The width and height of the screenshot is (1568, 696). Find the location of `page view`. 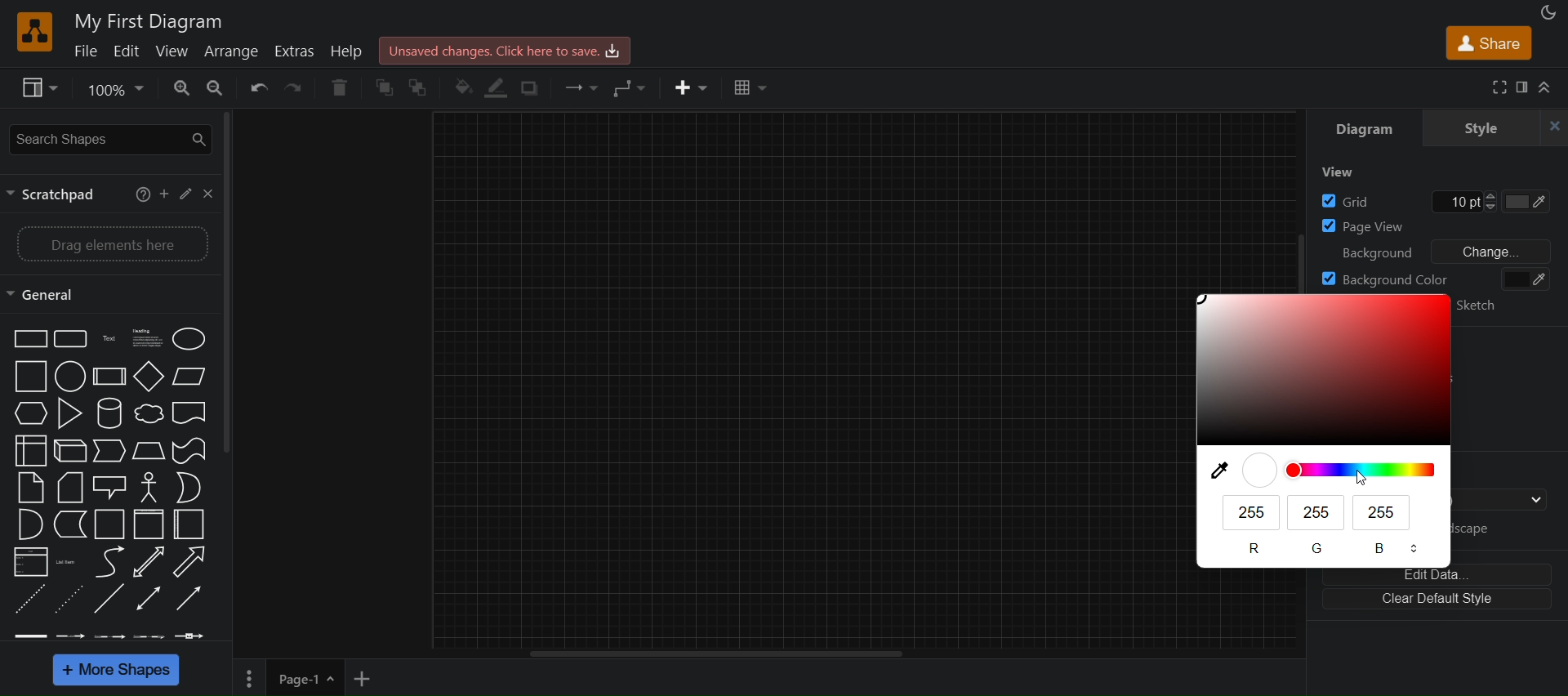

page view is located at coordinates (1434, 225).